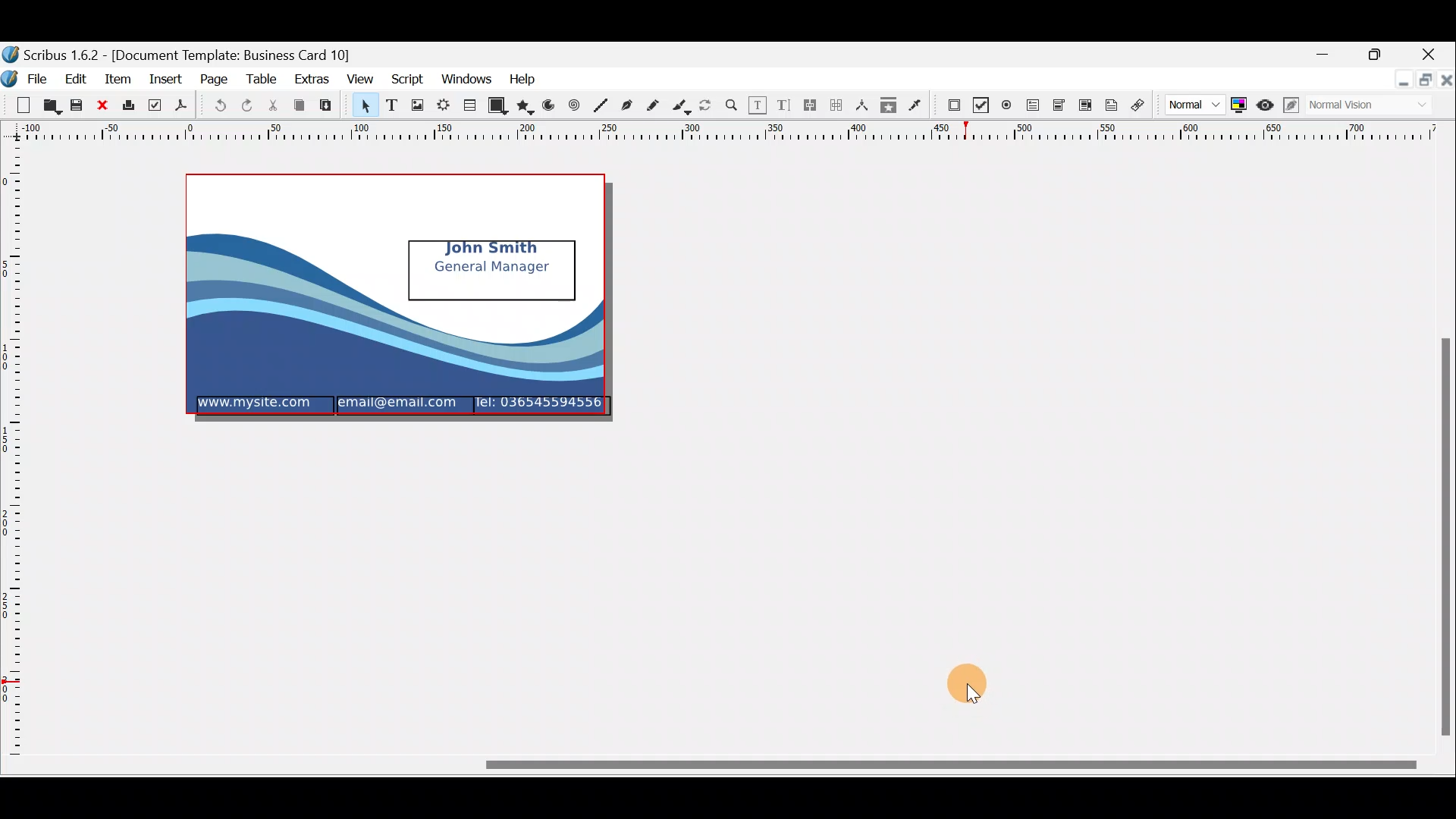 The width and height of the screenshot is (1456, 819). What do you see at coordinates (1399, 86) in the screenshot?
I see `Minimise` at bounding box center [1399, 86].